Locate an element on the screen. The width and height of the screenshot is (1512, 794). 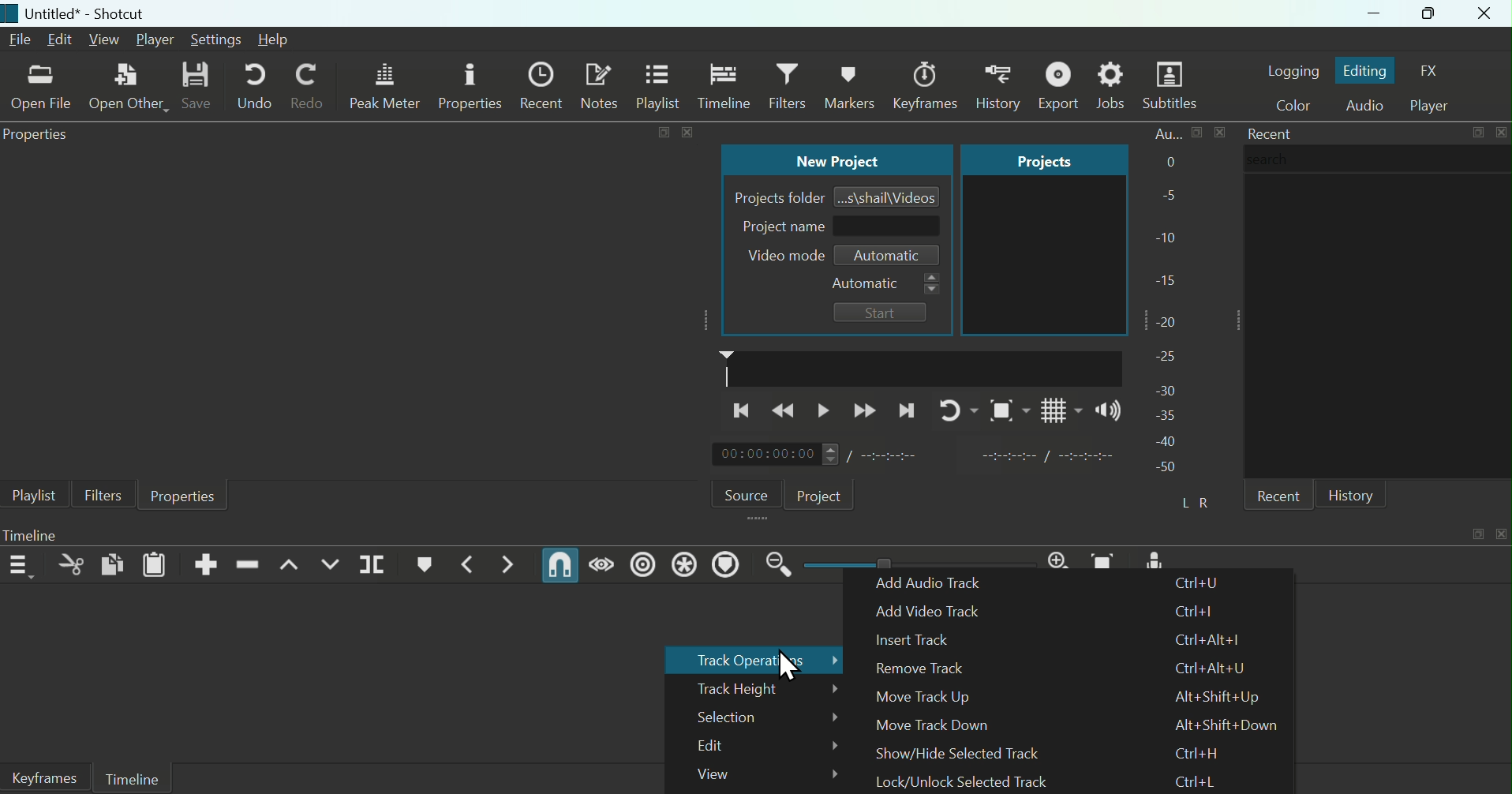
Sound is located at coordinates (1106, 410).